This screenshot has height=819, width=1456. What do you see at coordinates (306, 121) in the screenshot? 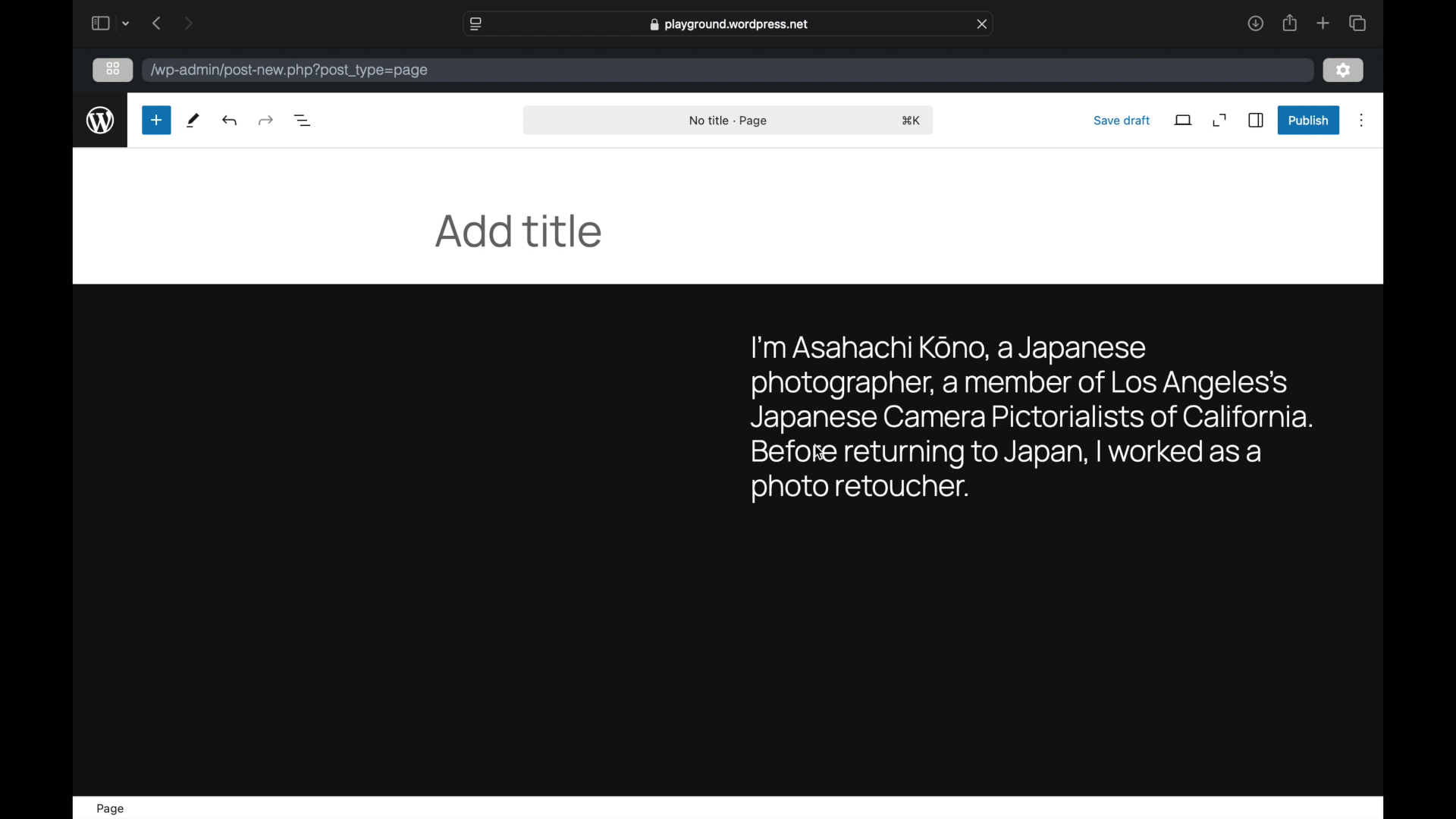
I see `document overview` at bounding box center [306, 121].